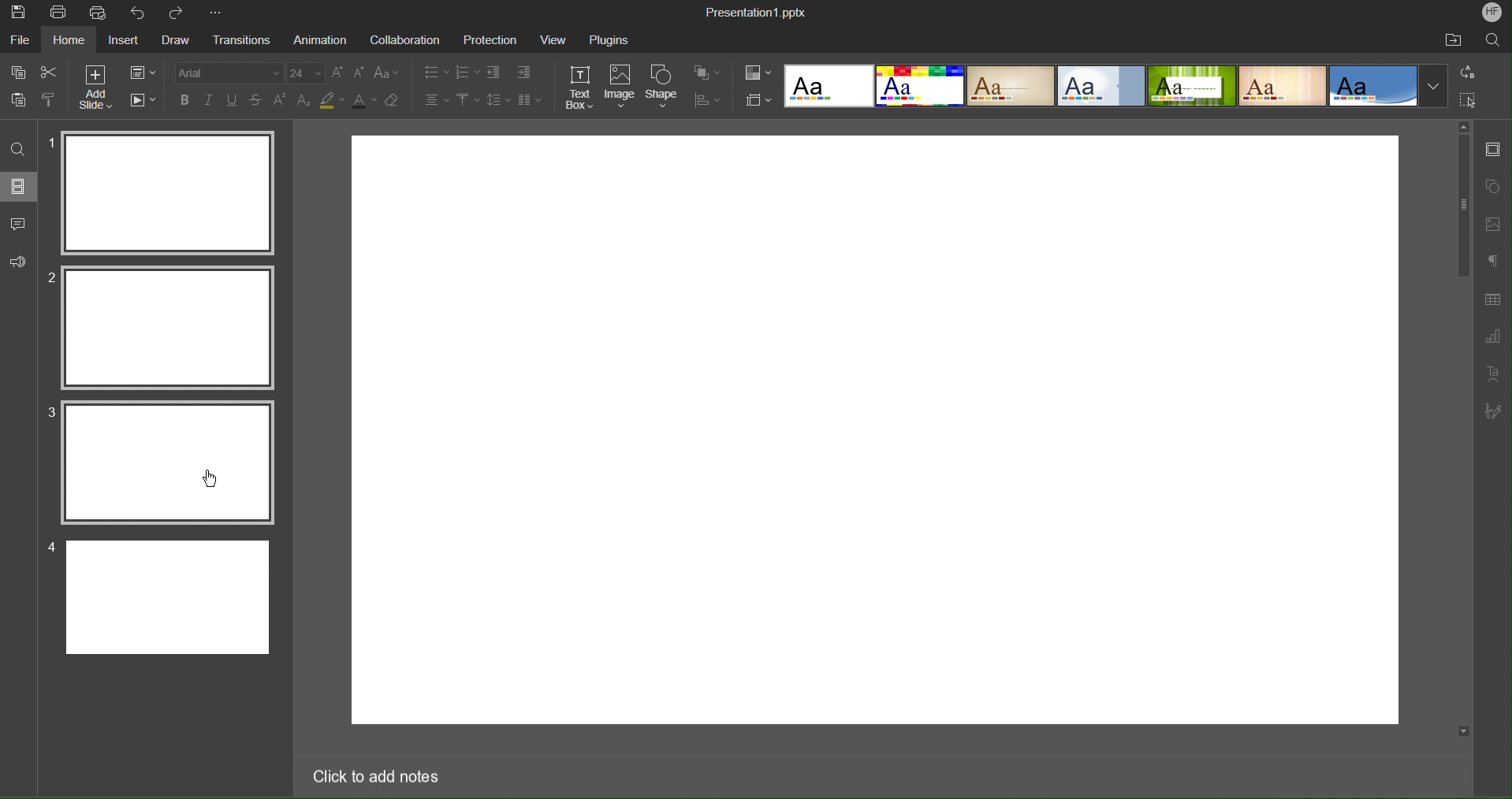 This screenshot has width=1512, height=799. Describe the element at coordinates (1494, 149) in the screenshot. I see `Slide Settings` at that location.